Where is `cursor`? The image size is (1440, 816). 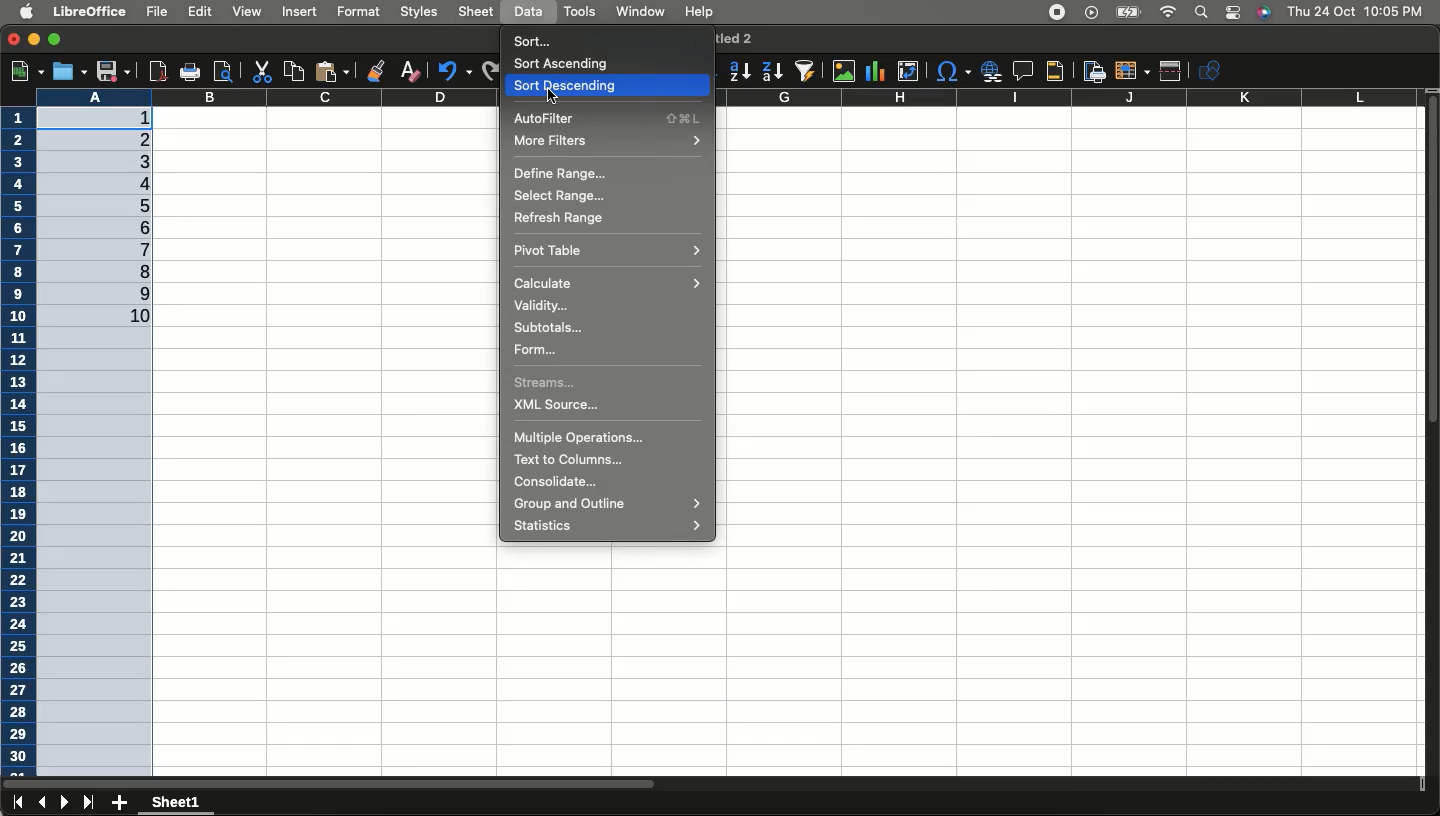 cursor is located at coordinates (552, 97).